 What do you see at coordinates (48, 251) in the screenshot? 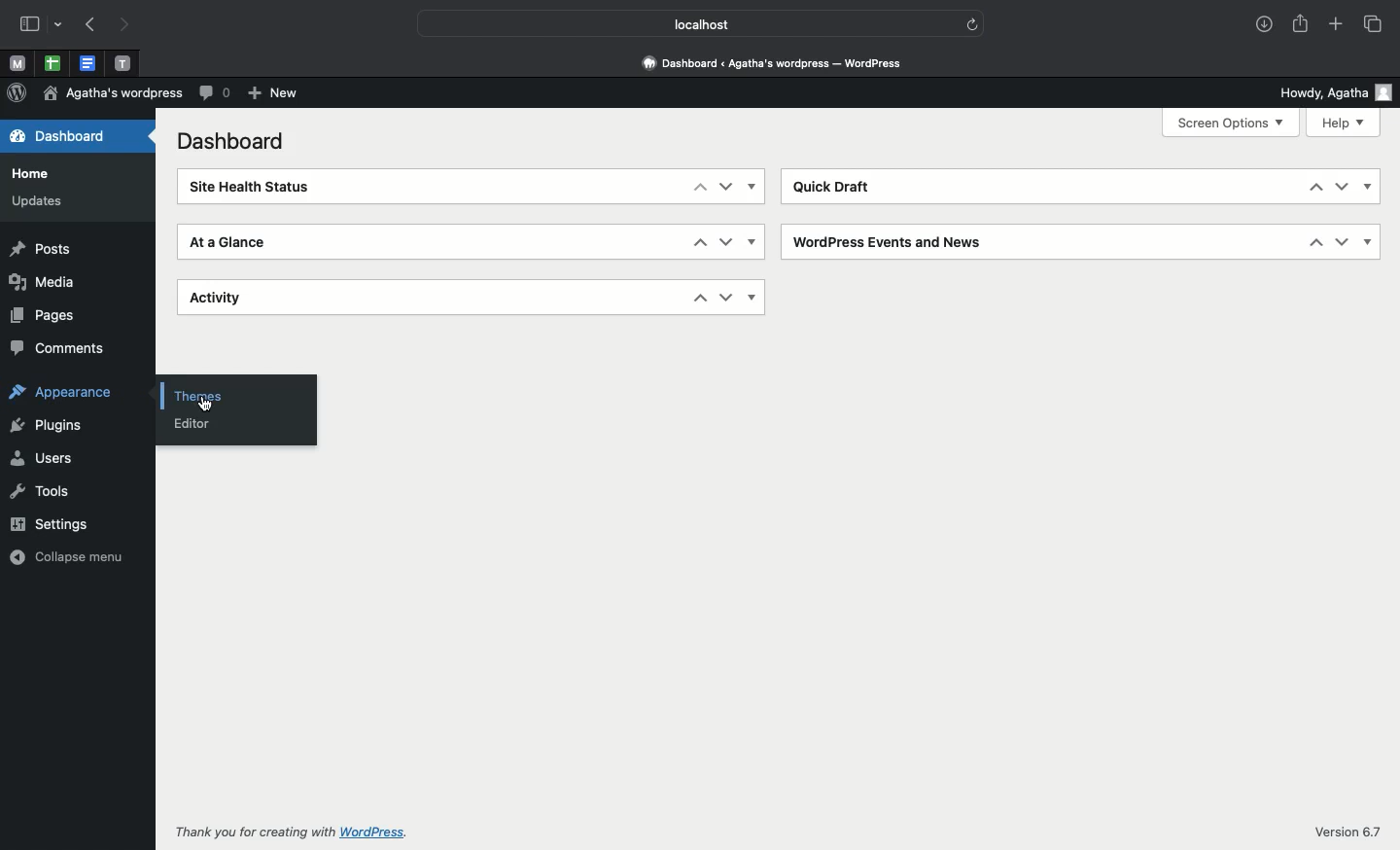
I see `Posts` at bounding box center [48, 251].